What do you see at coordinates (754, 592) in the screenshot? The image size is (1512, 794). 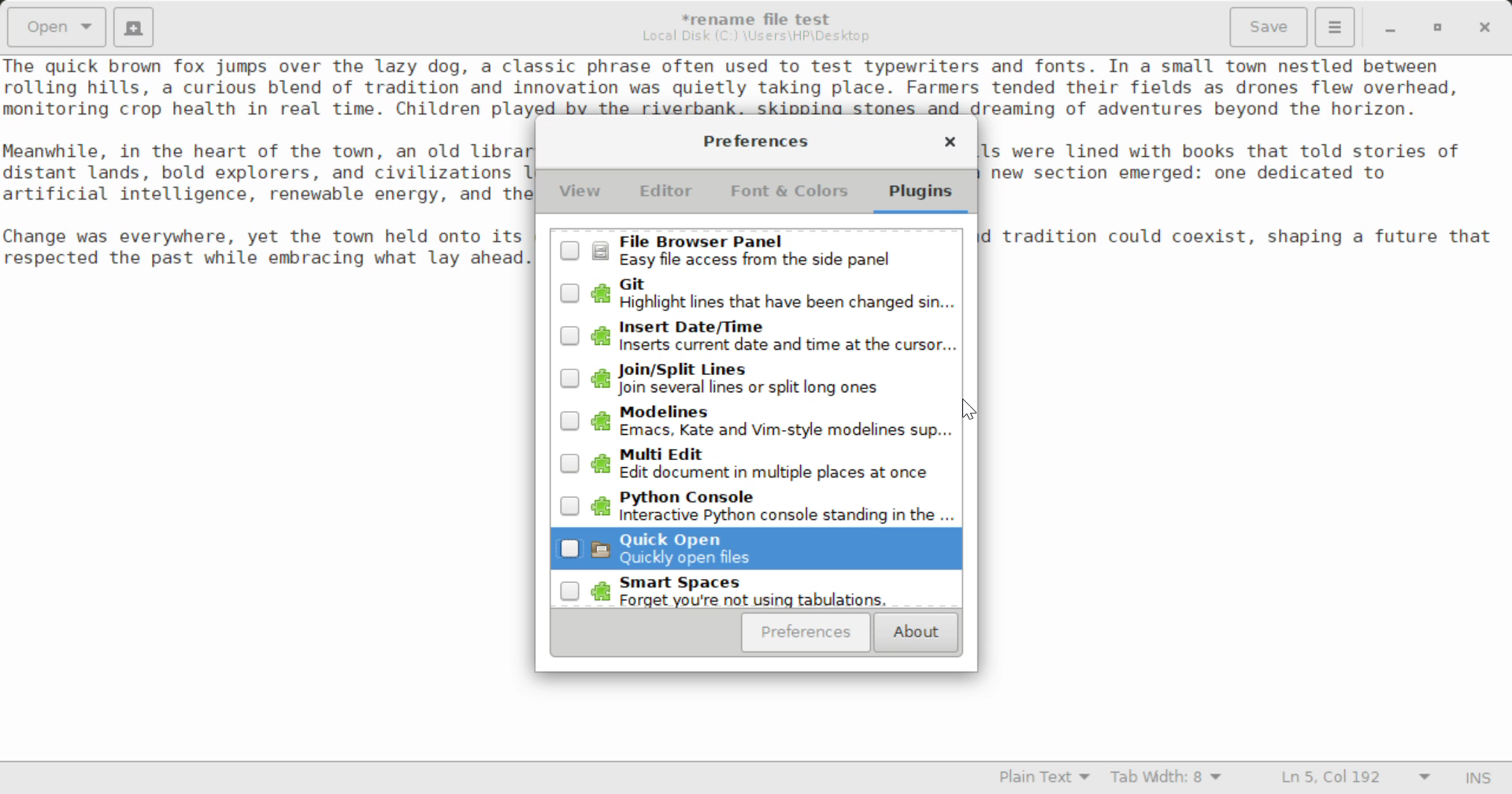 I see `Unselected Smart Spaces` at bounding box center [754, 592].